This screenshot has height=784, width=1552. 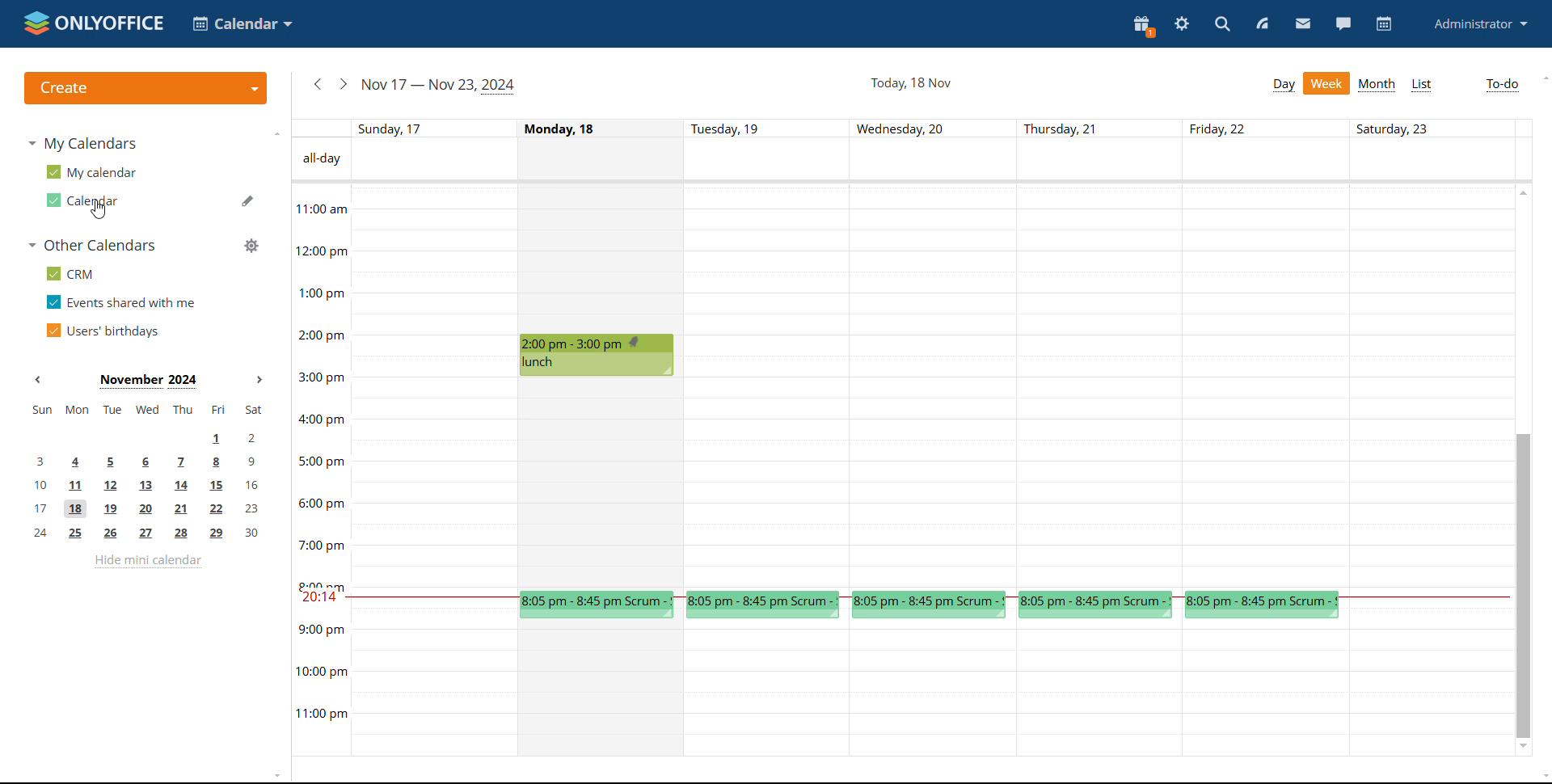 I want to click on friday, so click(x=1265, y=690).